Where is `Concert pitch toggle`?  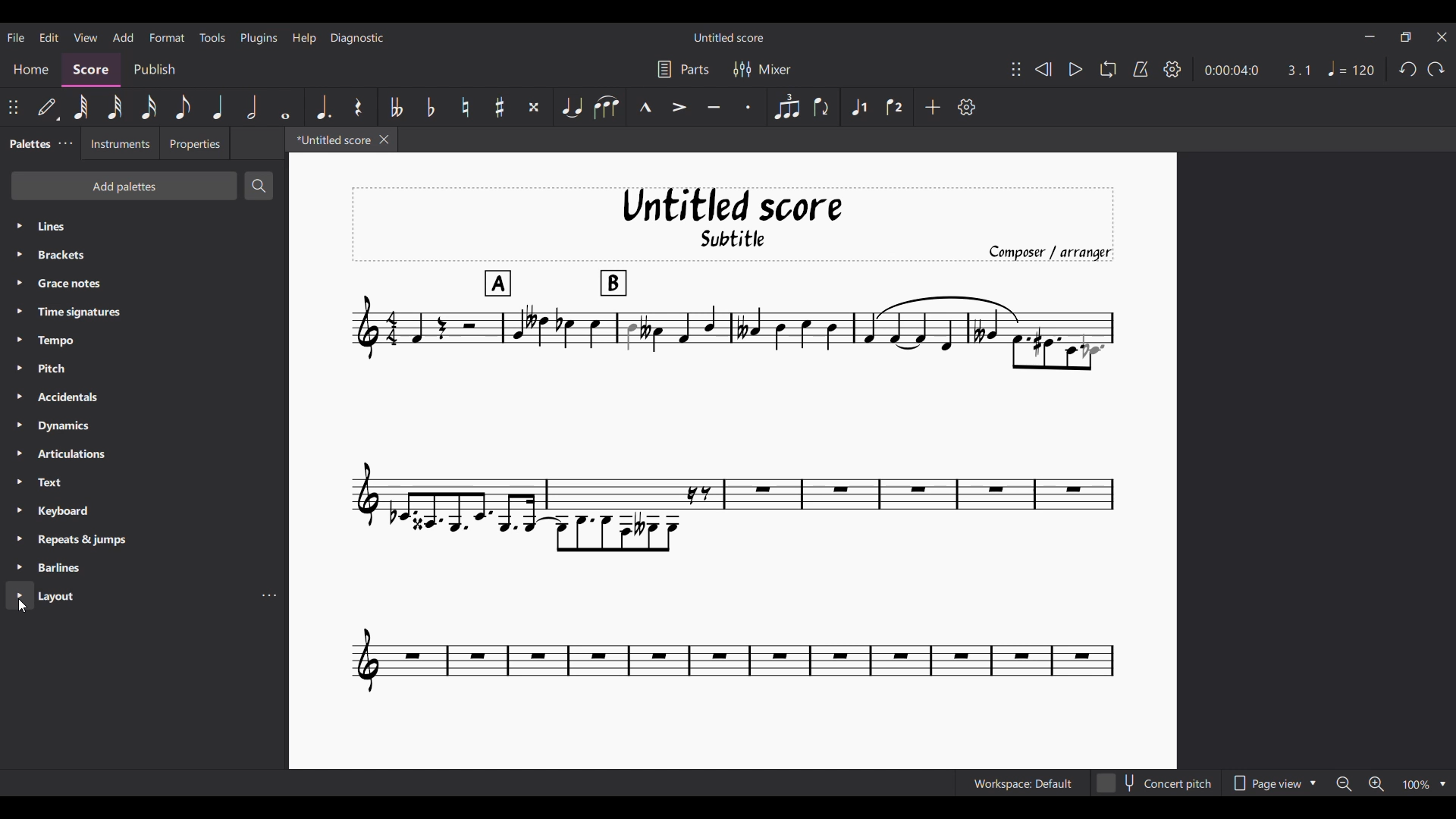
Concert pitch toggle is located at coordinates (1155, 783).